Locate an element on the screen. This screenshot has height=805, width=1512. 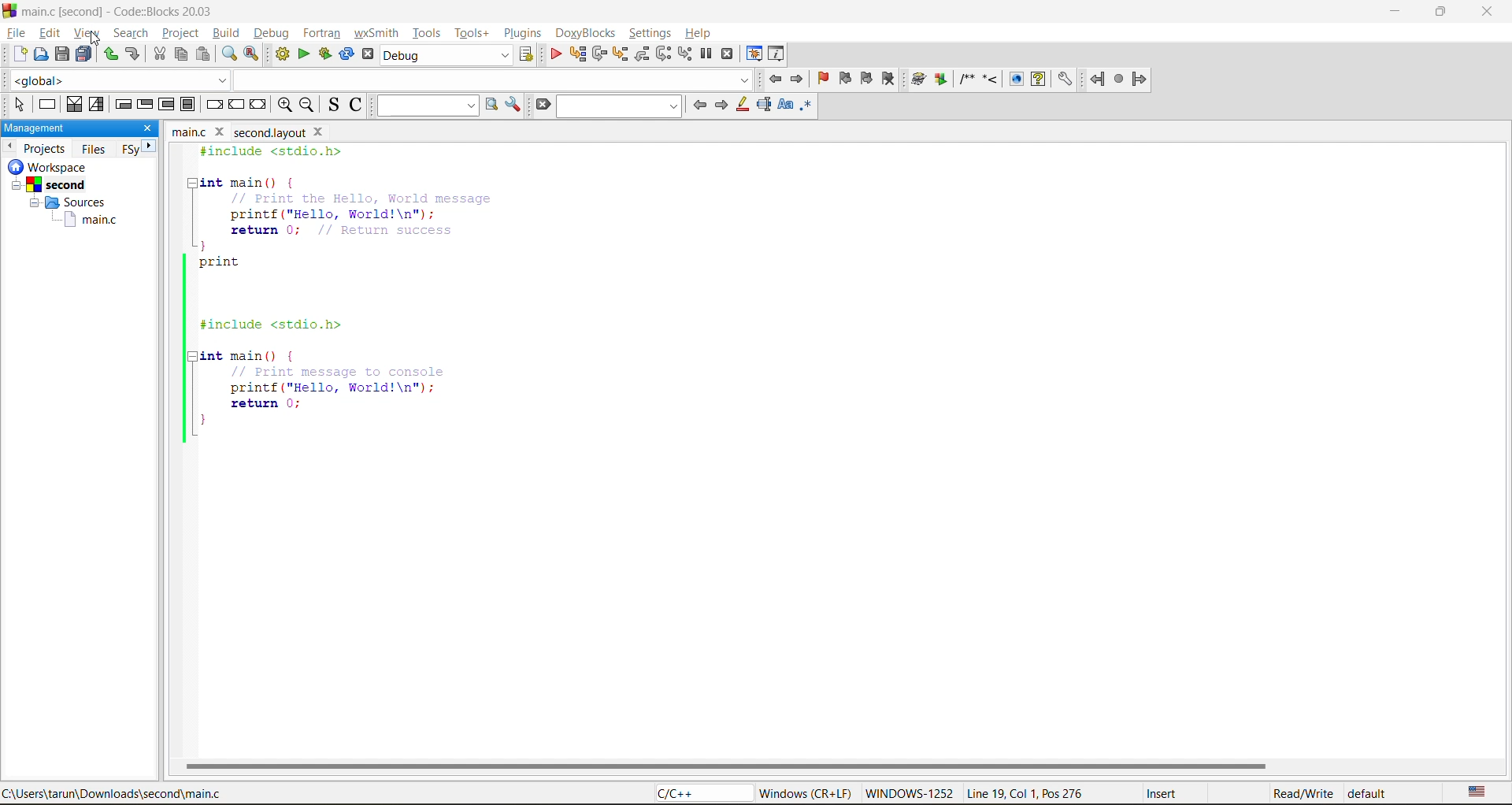
toggle comments is located at coordinates (355, 108).